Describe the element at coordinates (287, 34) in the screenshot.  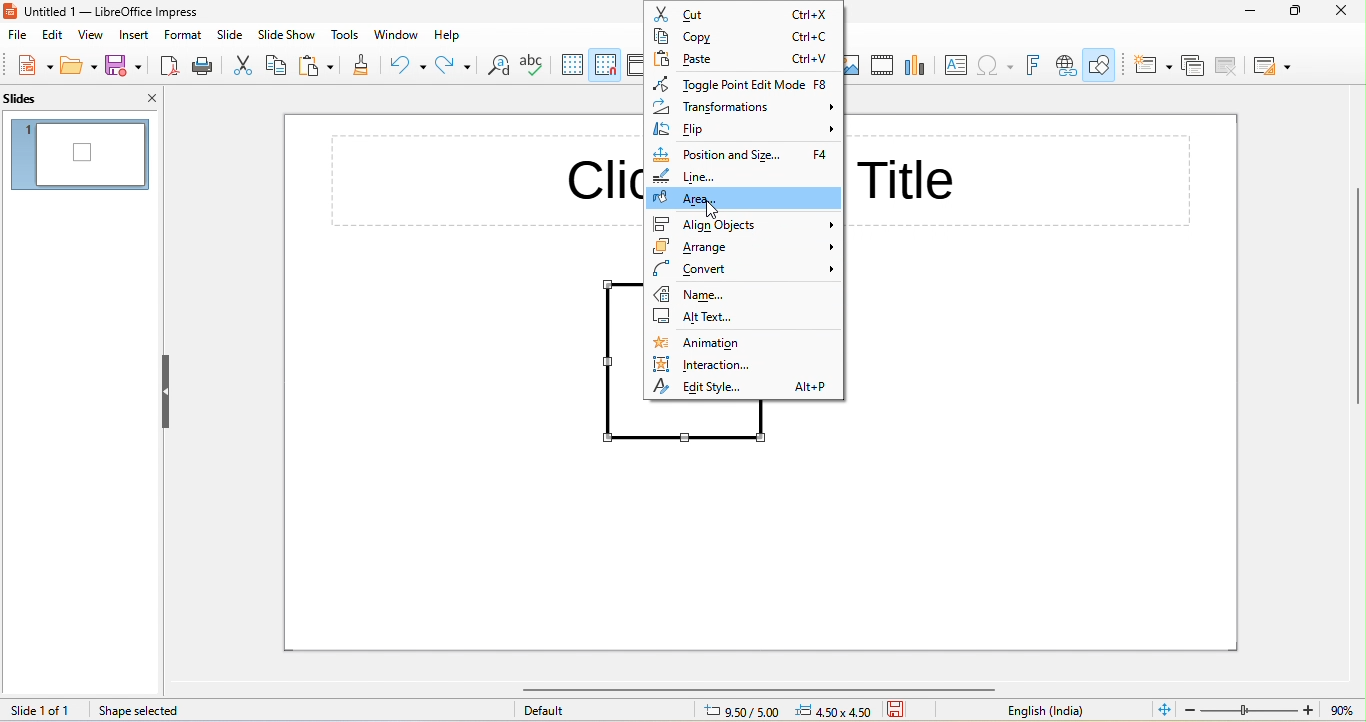
I see `slideshow` at that location.